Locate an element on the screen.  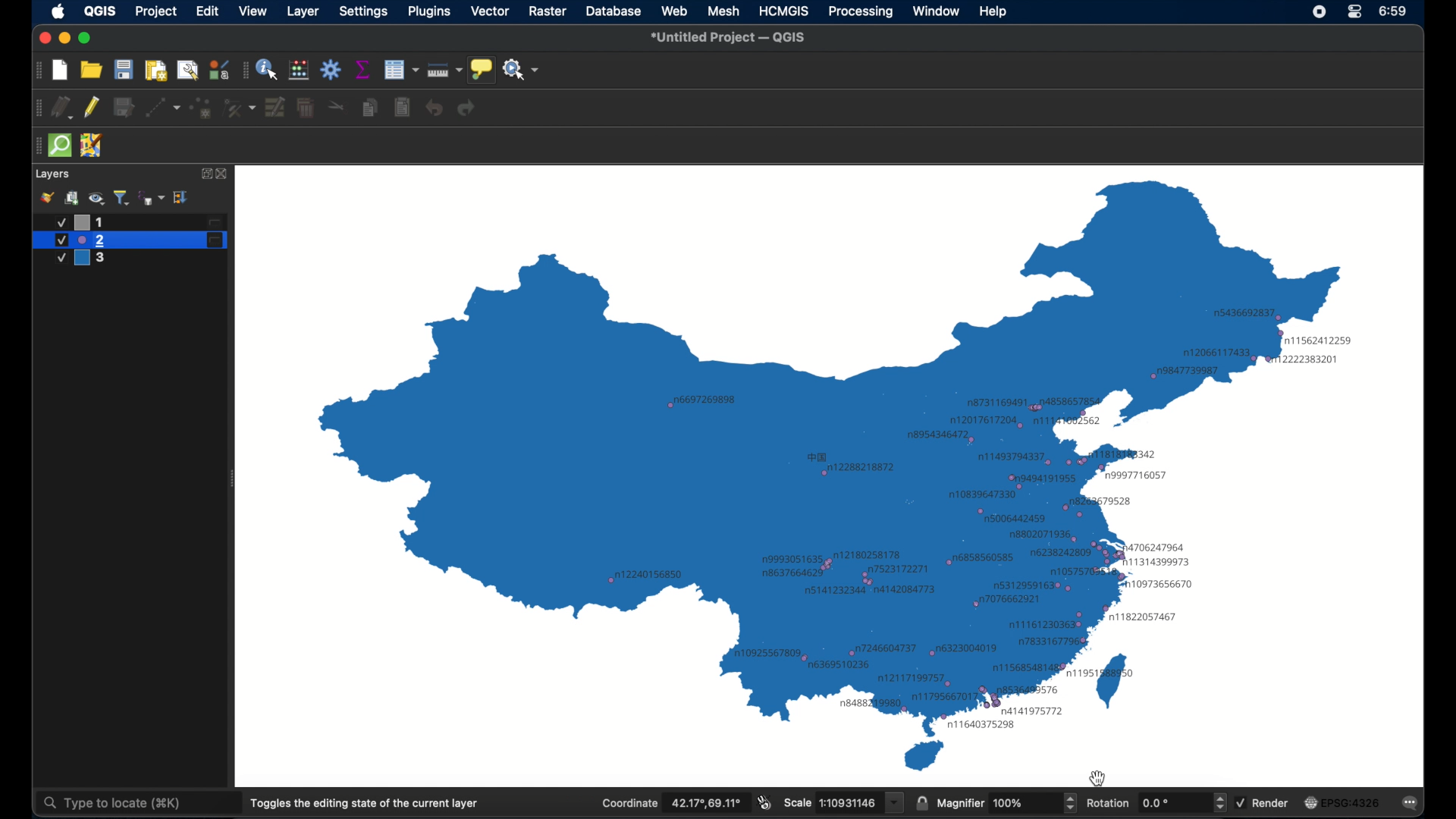
style manager is located at coordinates (219, 69).